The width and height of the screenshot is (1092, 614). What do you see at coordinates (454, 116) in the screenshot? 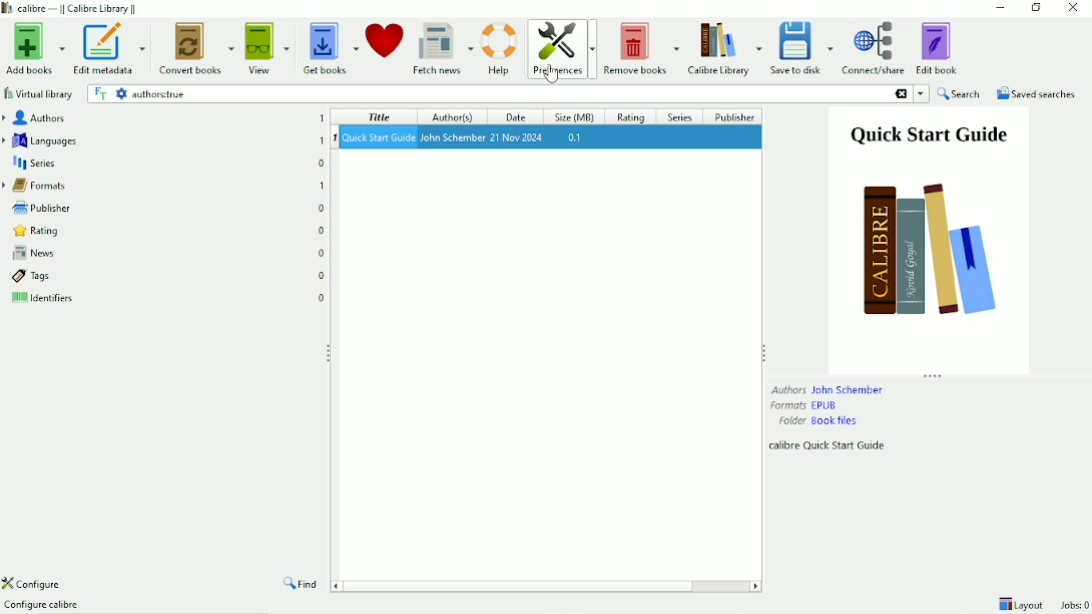
I see `Author(s)` at bounding box center [454, 116].